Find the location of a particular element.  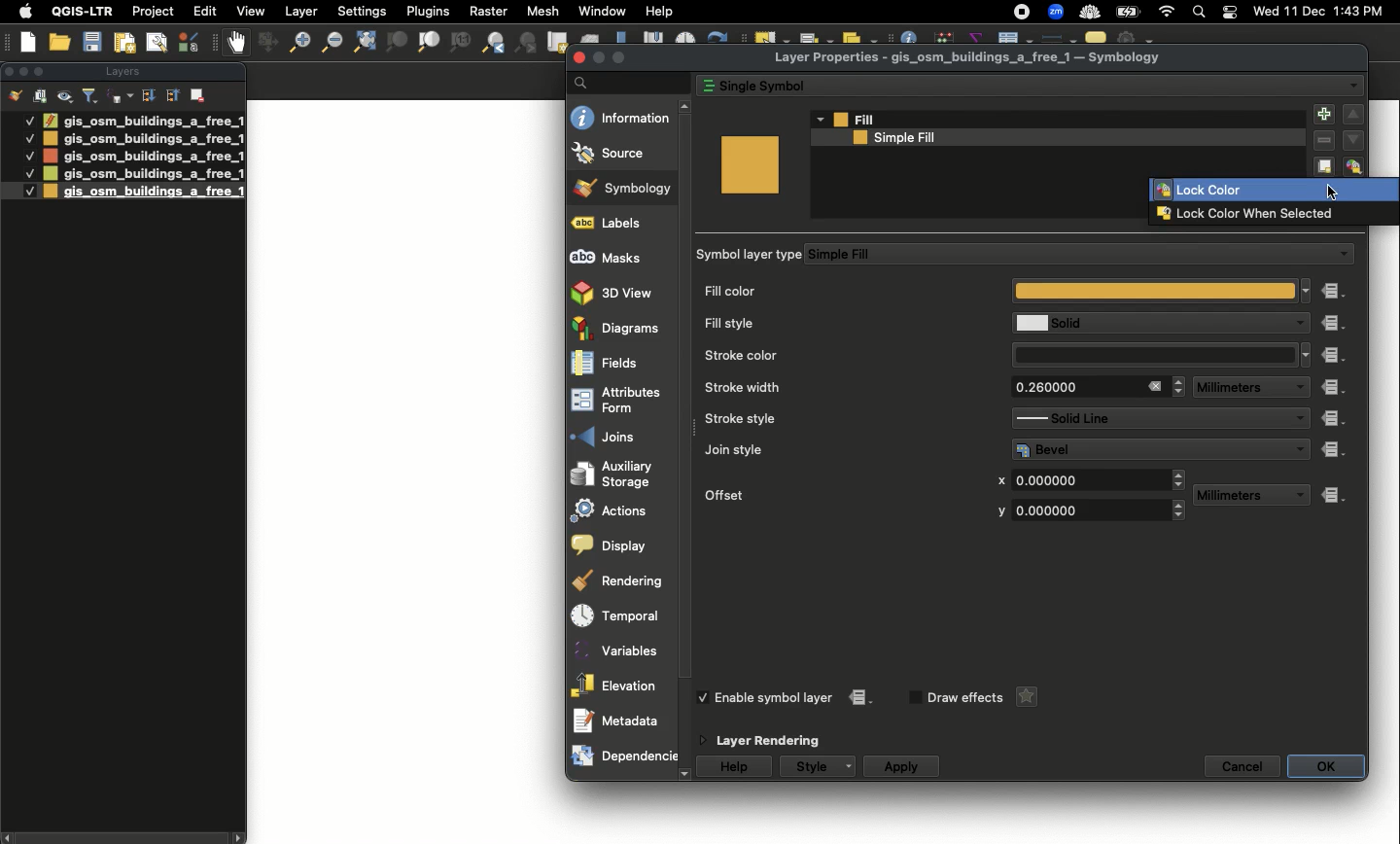

Fill color is located at coordinates (999, 293).